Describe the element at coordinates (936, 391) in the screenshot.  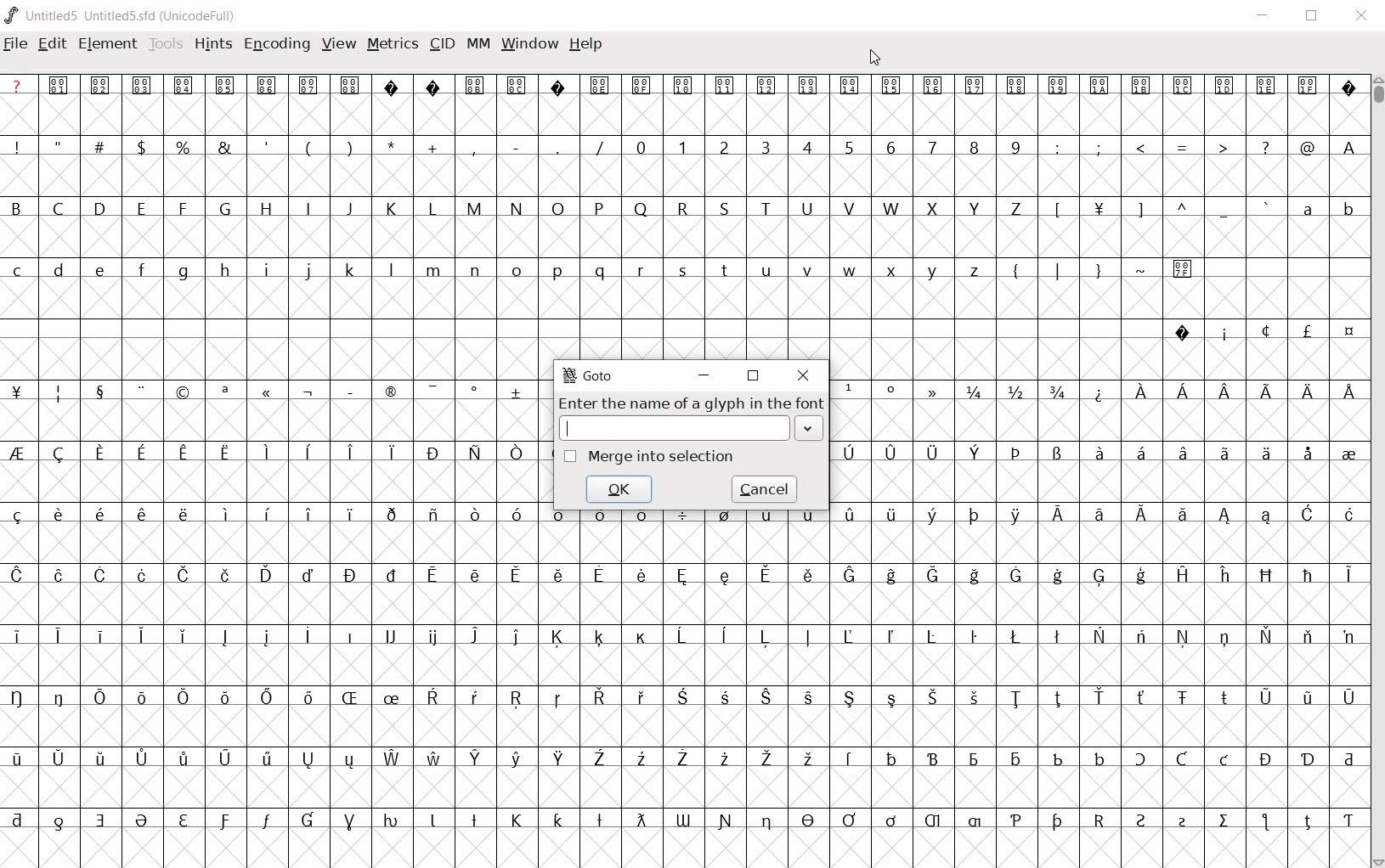
I see `Symbol` at that location.